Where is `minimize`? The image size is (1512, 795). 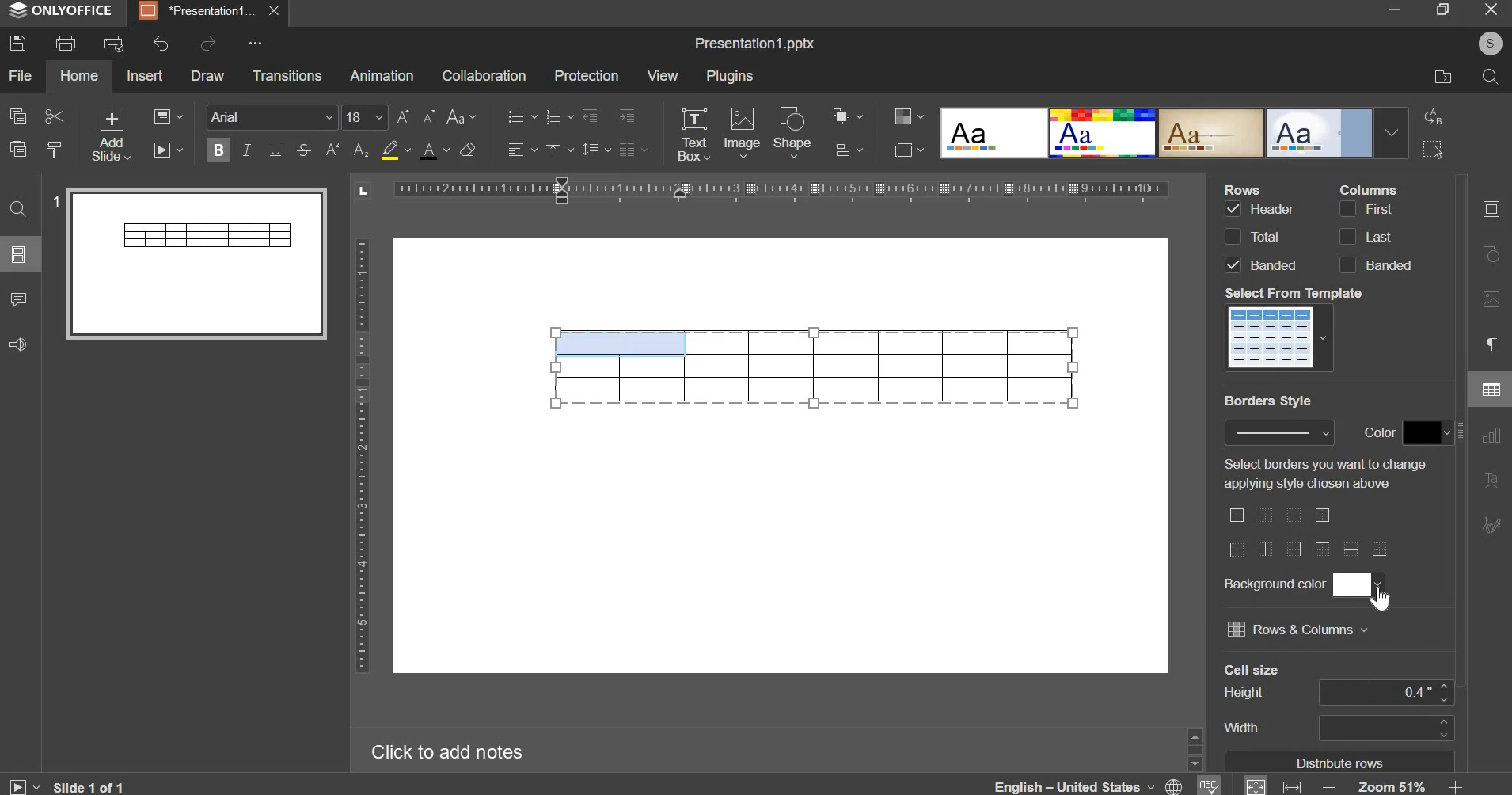
minimize is located at coordinates (1394, 11).